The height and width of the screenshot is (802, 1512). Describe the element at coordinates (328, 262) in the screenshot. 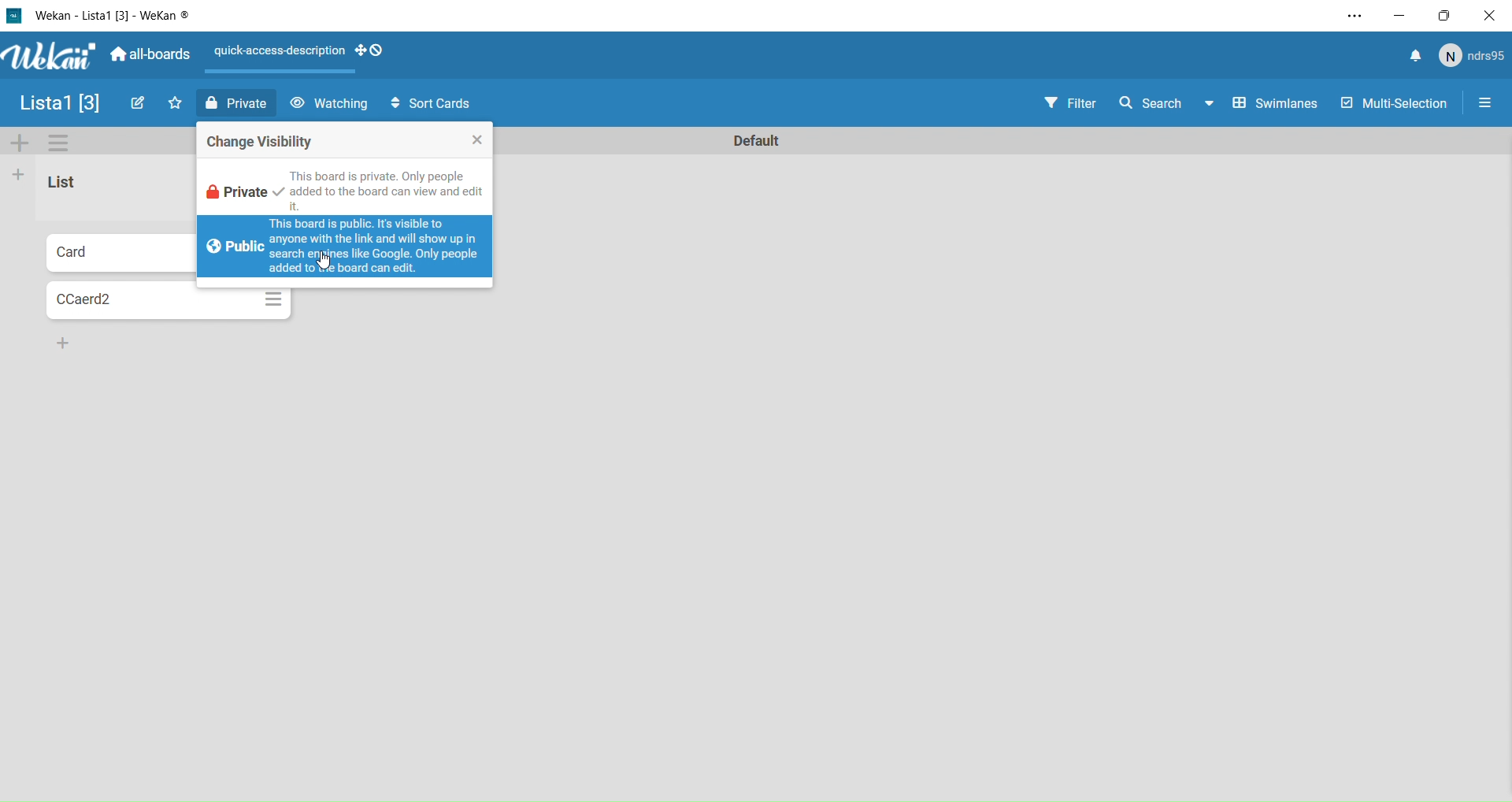

I see `cursor` at that location.